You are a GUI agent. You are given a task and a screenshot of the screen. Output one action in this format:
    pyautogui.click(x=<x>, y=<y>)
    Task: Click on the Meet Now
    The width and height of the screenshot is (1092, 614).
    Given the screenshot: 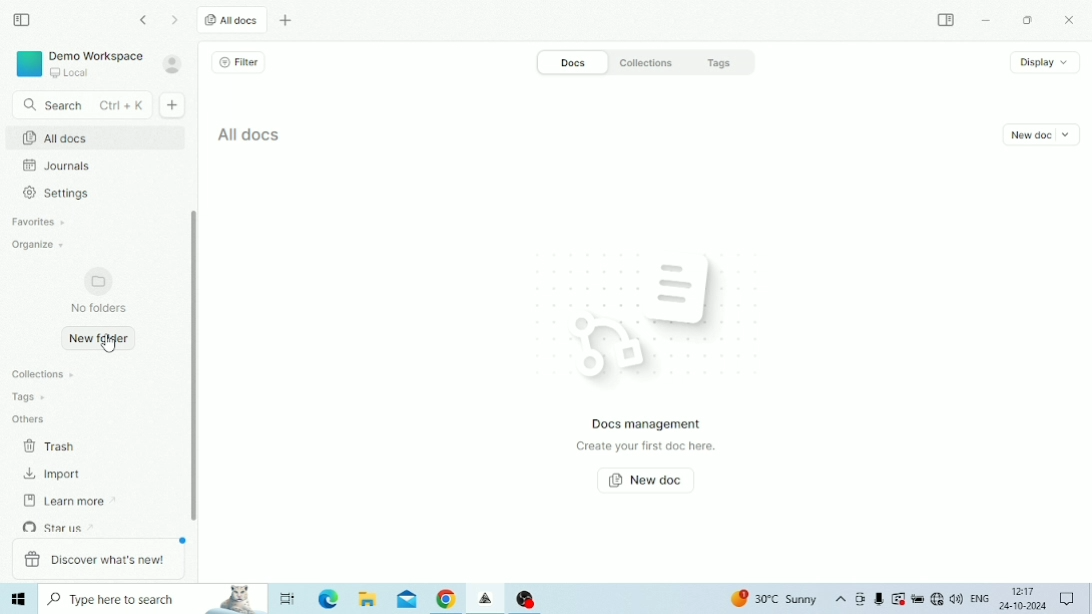 What is the action you would take?
    pyautogui.click(x=860, y=599)
    